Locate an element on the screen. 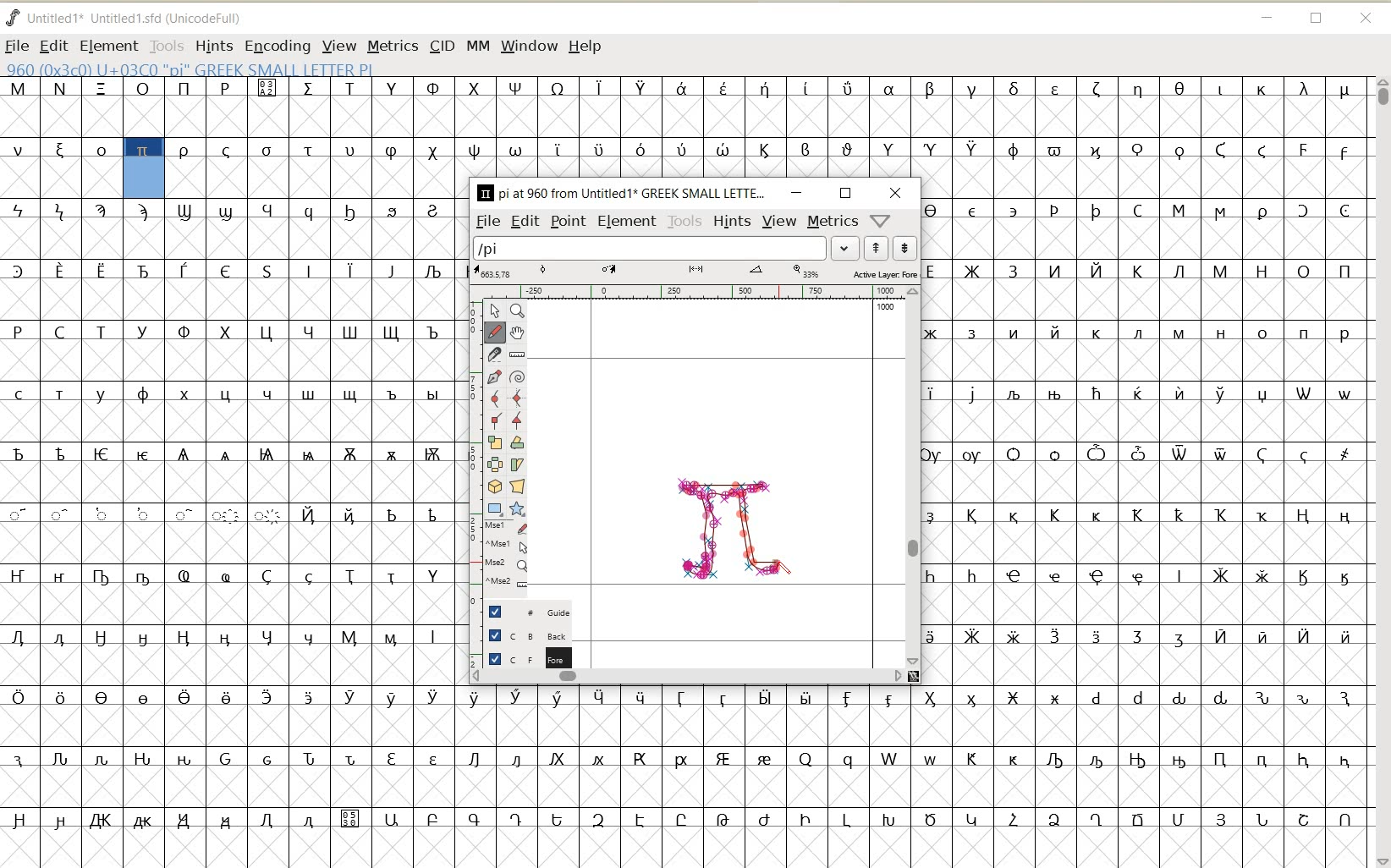 This screenshot has height=868, width=1391. SCROLLBAR is located at coordinates (688, 678).